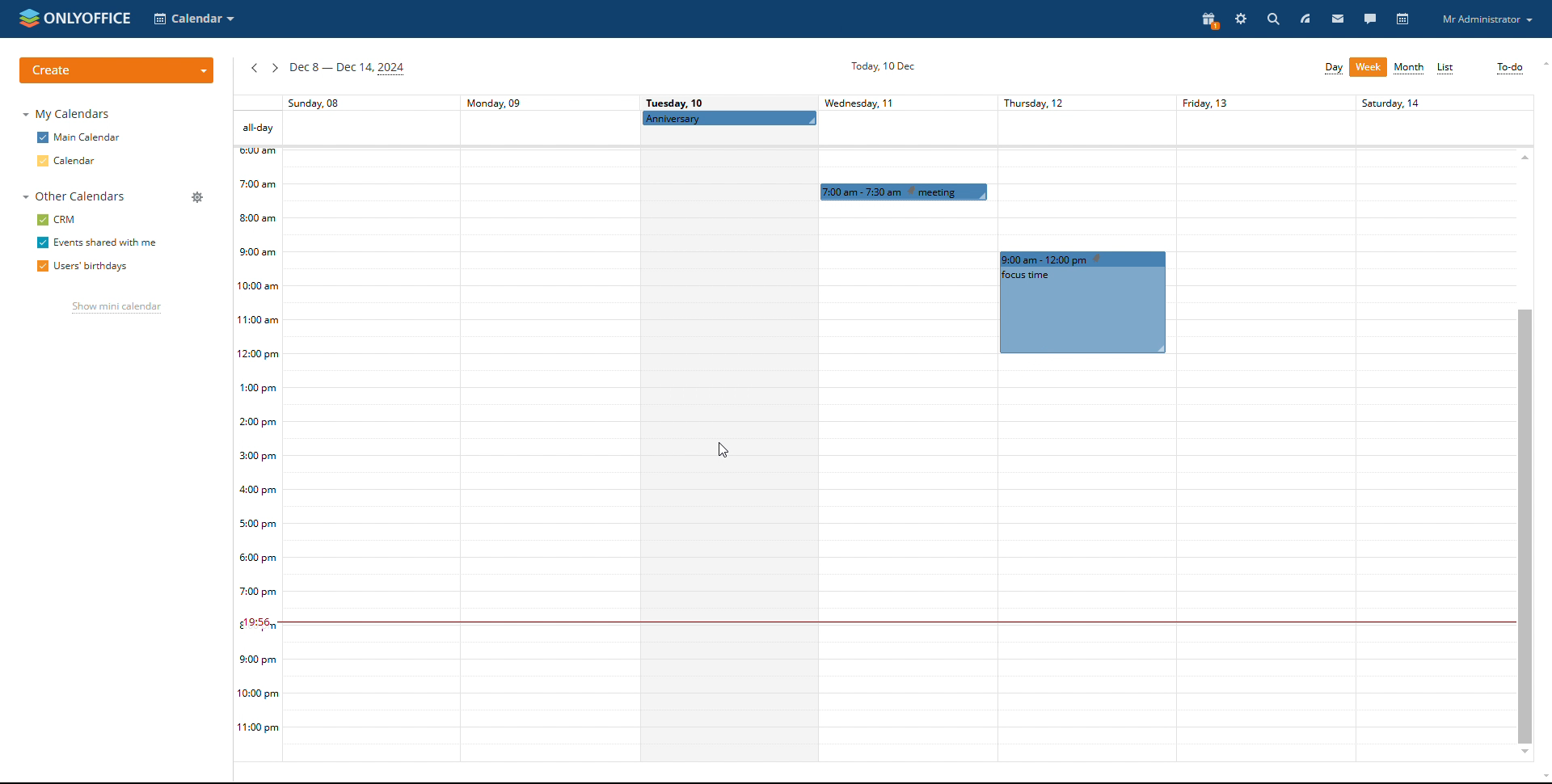 This screenshot has width=1552, height=784. I want to click on create, so click(116, 70).